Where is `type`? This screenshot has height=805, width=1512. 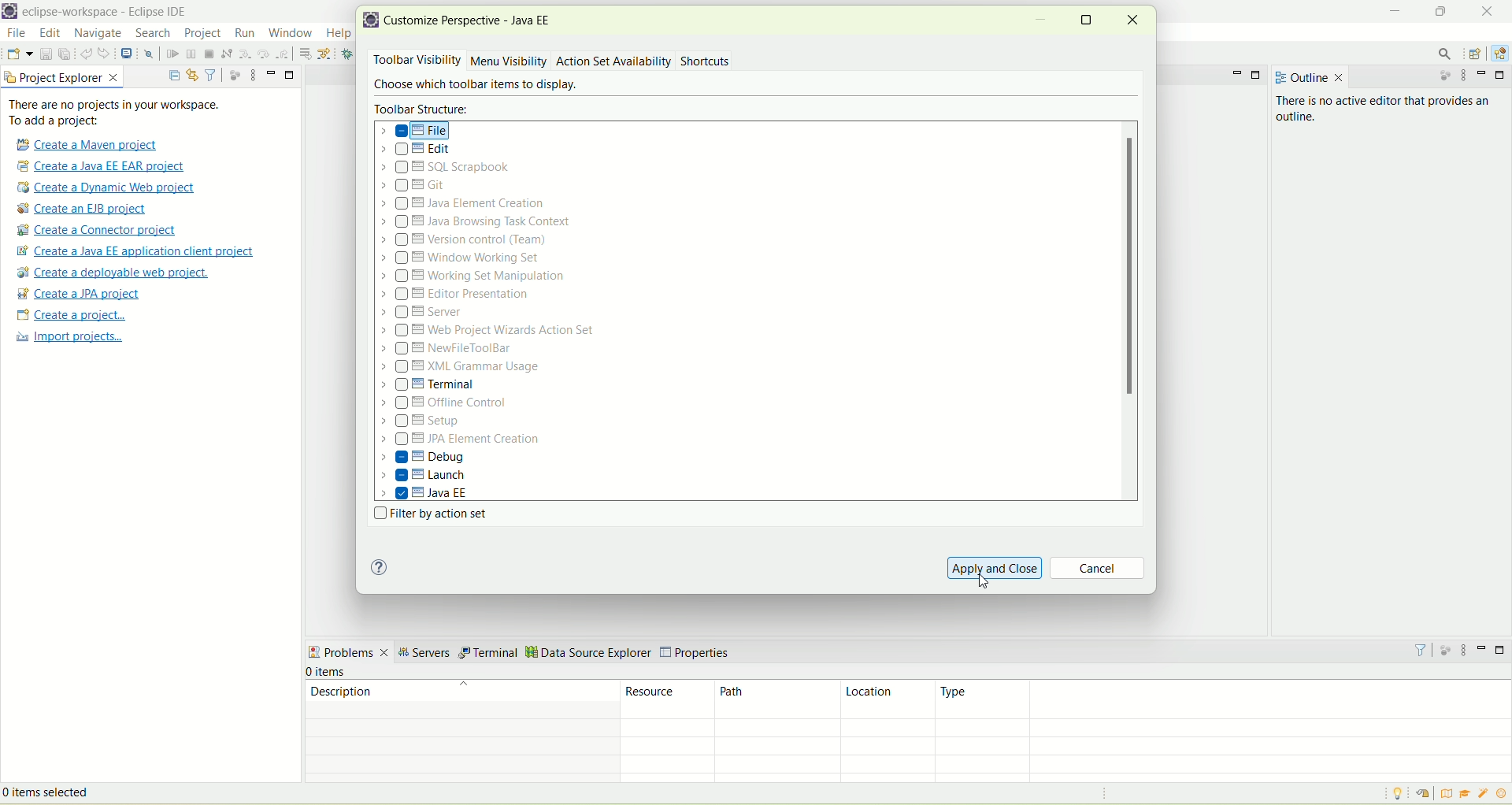
type is located at coordinates (1225, 699).